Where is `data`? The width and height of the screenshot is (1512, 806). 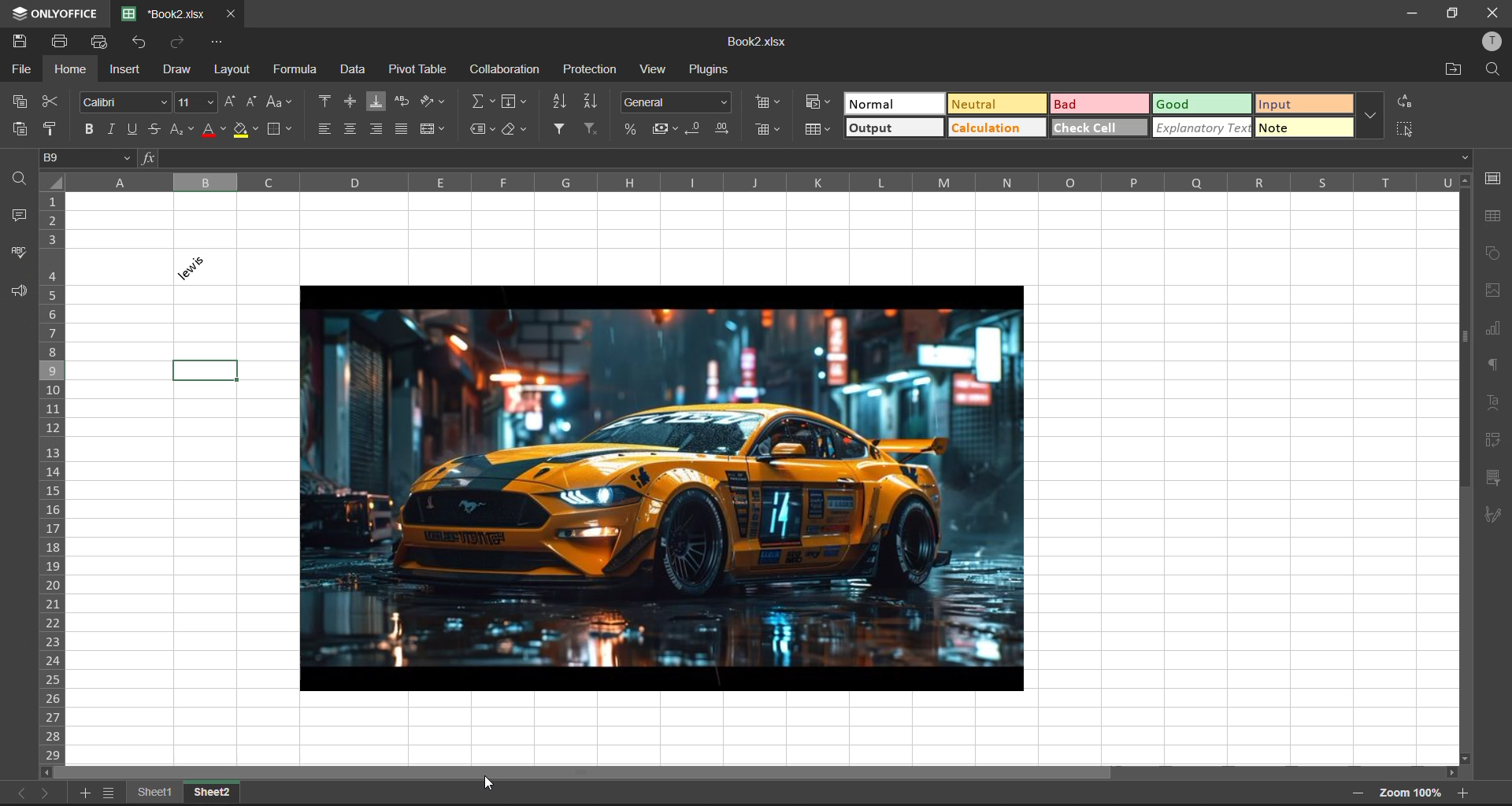
data is located at coordinates (353, 72).